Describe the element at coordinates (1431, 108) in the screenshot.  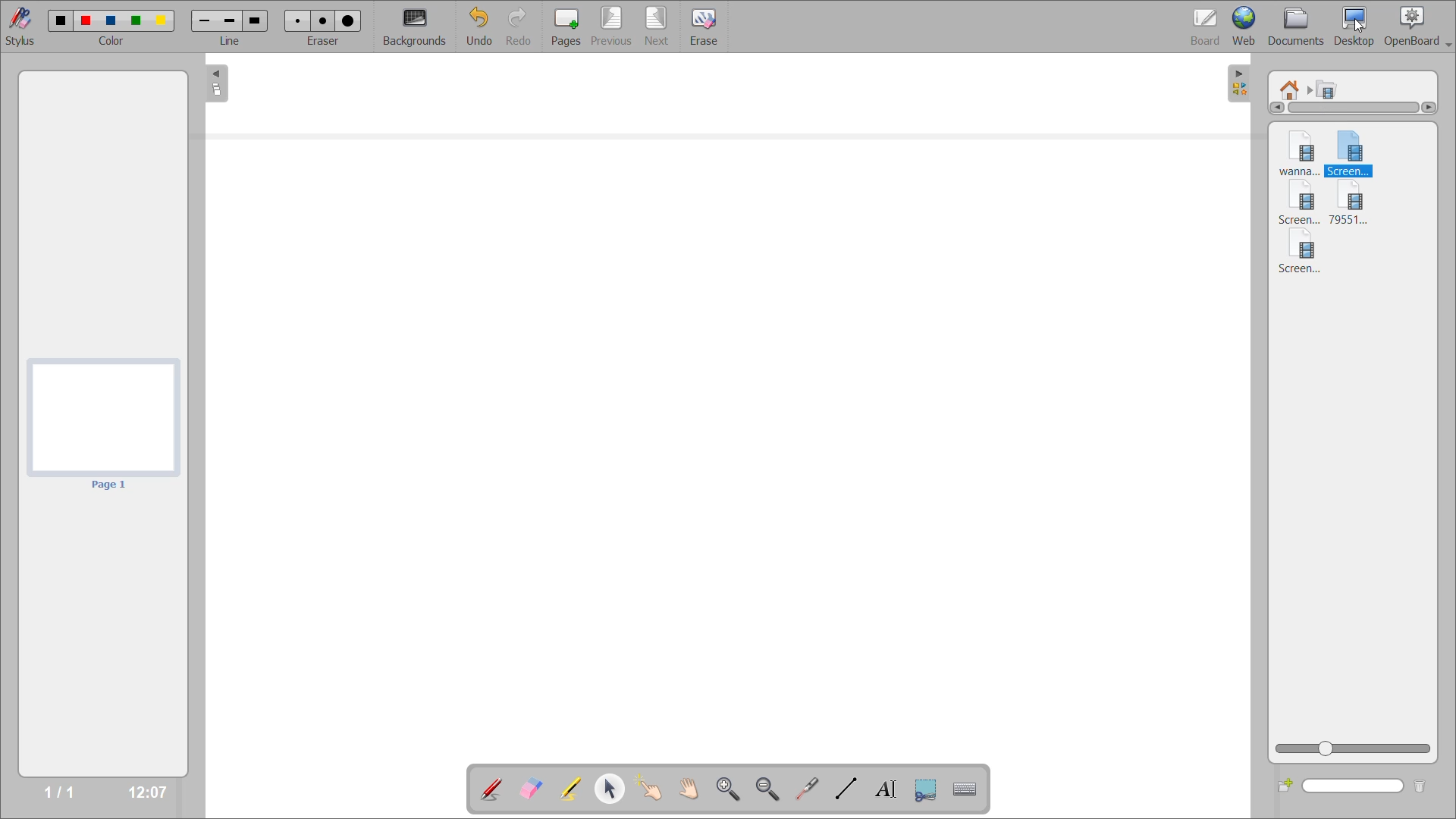
I see `Right arrow` at that location.